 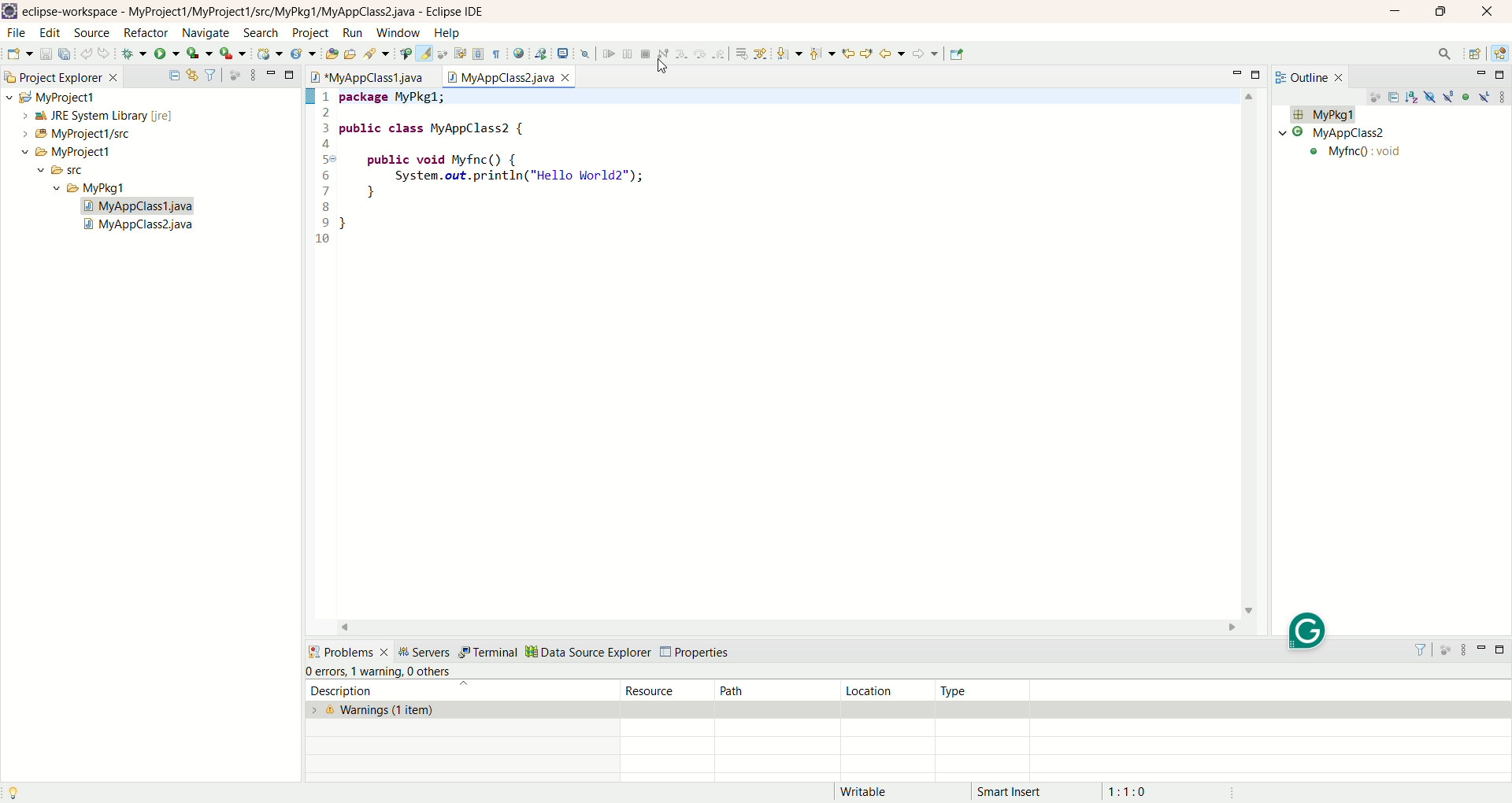 I want to click on save all, so click(x=67, y=54).